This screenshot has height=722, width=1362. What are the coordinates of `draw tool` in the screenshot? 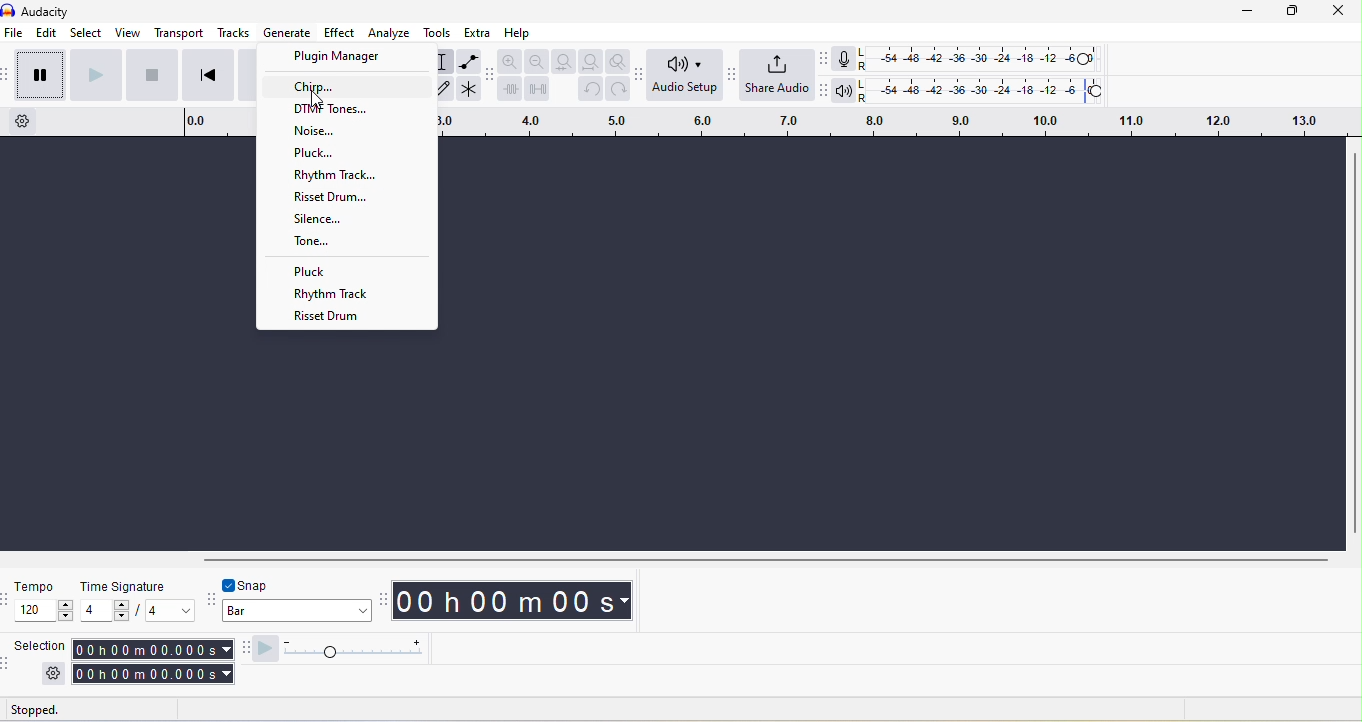 It's located at (447, 89).